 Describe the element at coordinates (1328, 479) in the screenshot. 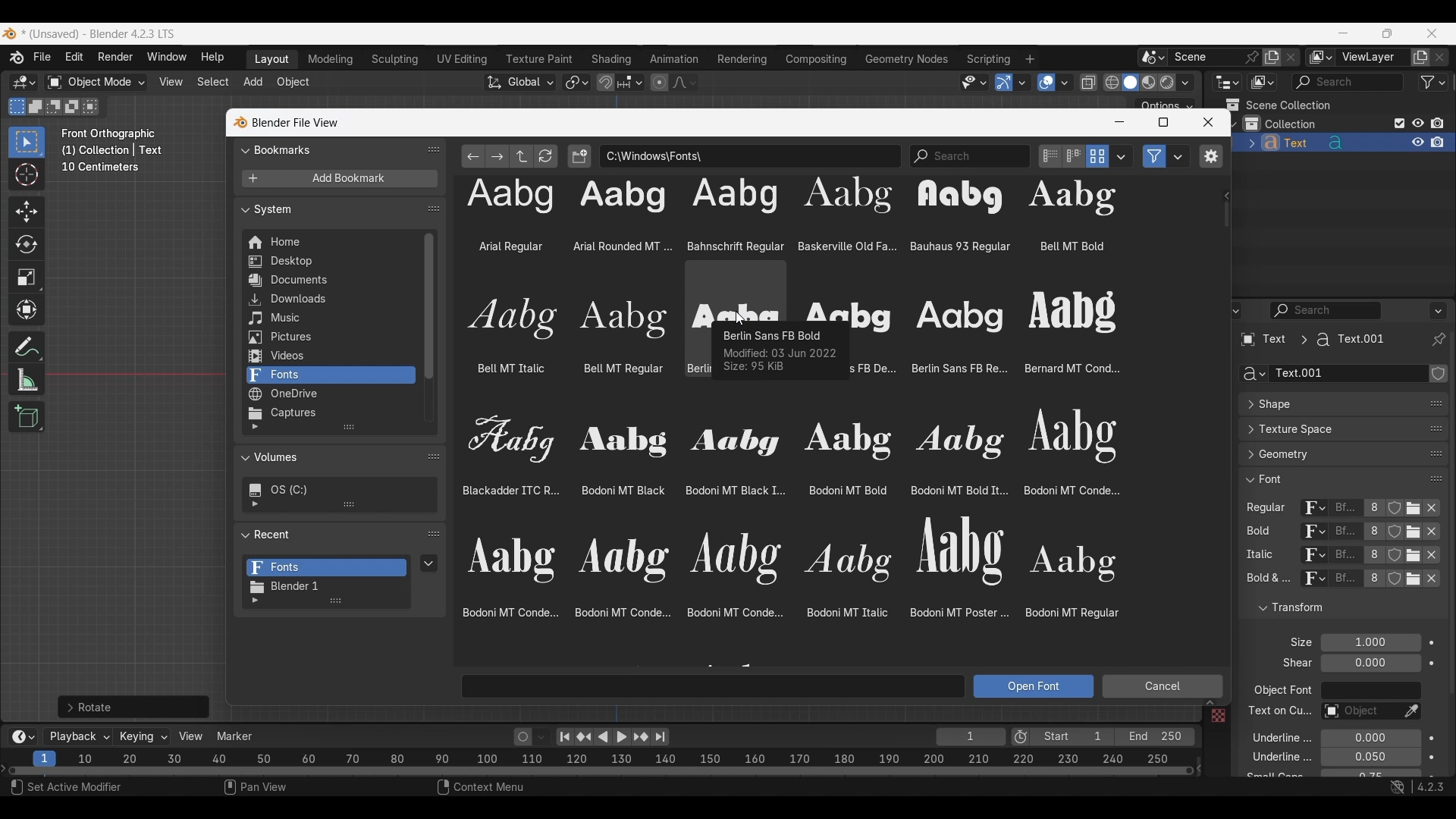

I see `Click to collapse Font` at that location.